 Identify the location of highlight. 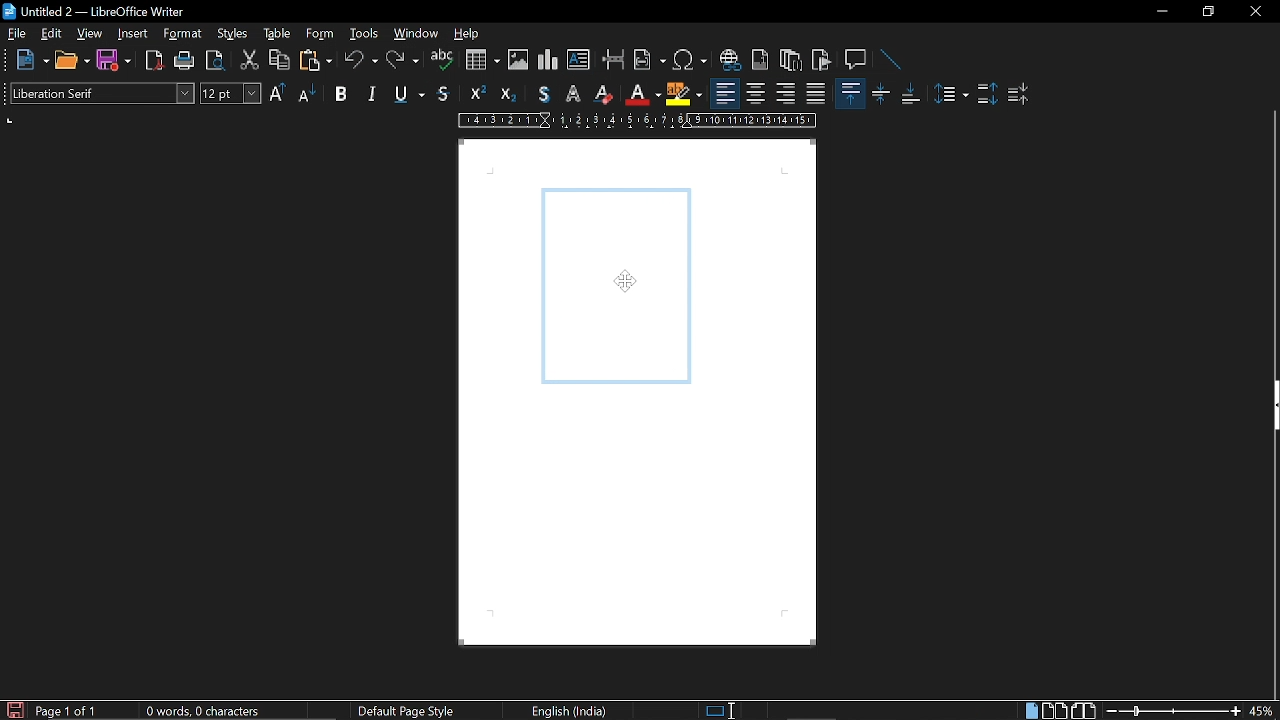
(682, 94).